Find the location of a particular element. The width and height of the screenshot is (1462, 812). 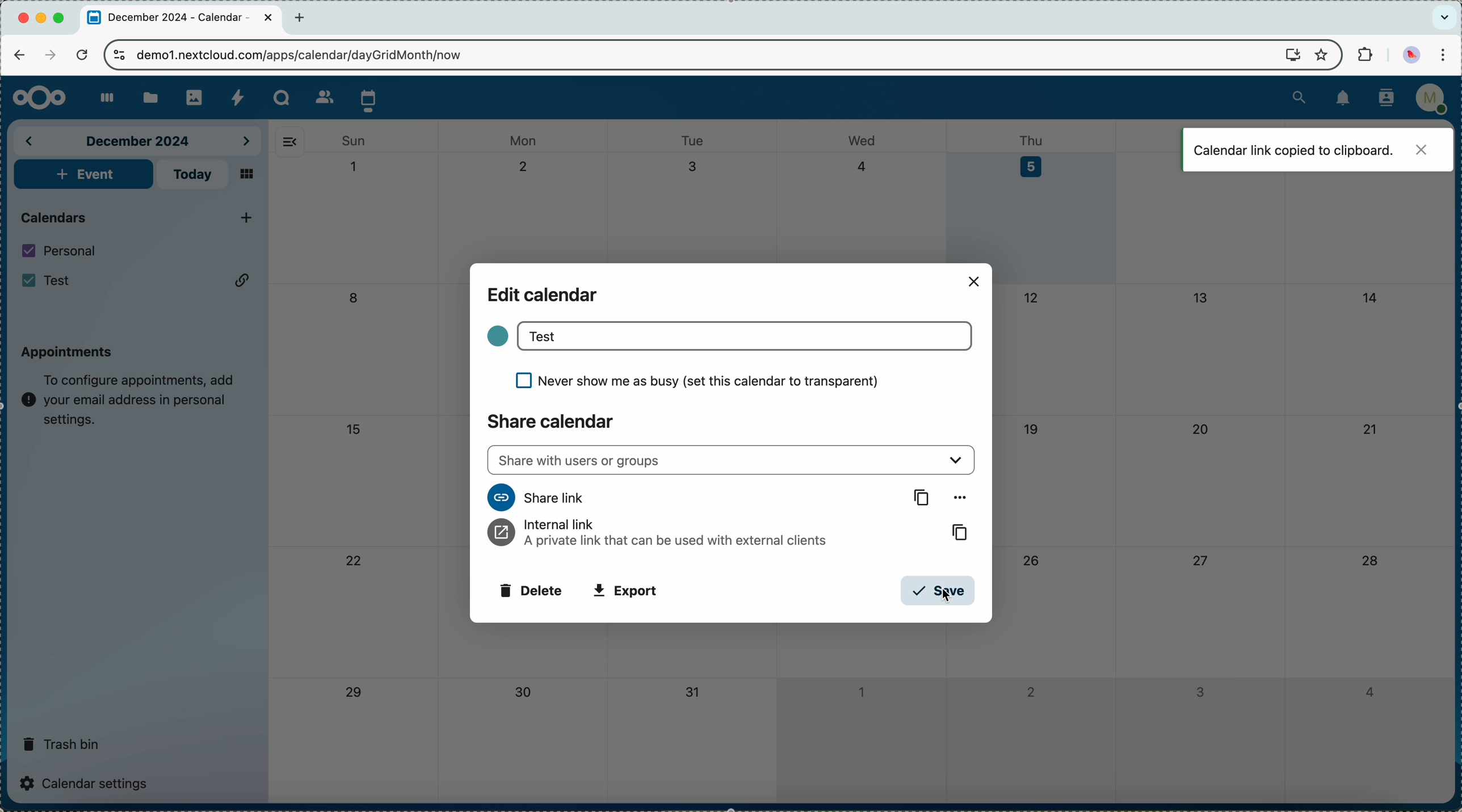

22 is located at coordinates (355, 563).